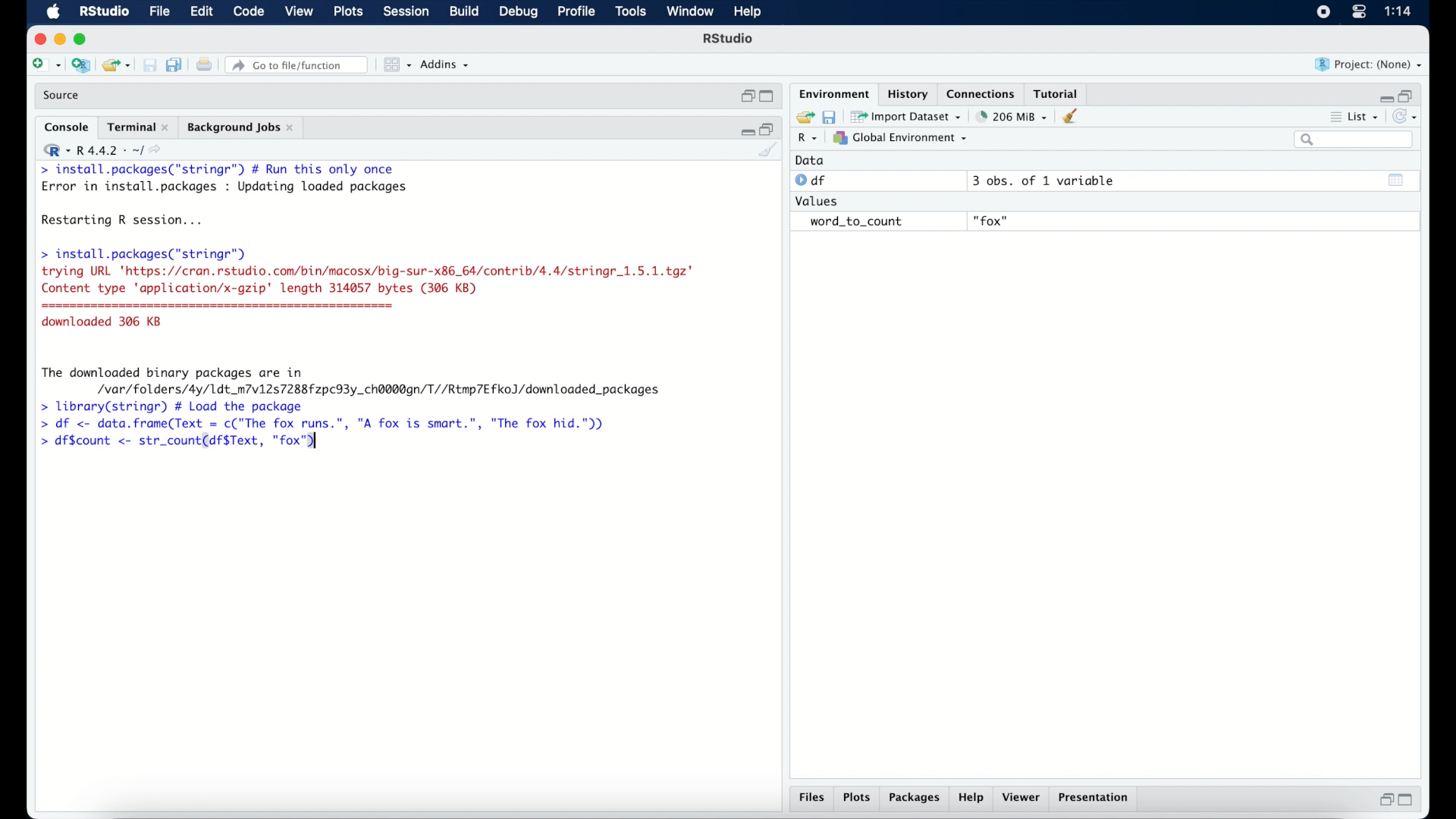 The height and width of the screenshot is (819, 1456). What do you see at coordinates (992, 221) in the screenshot?
I see `fox` at bounding box center [992, 221].